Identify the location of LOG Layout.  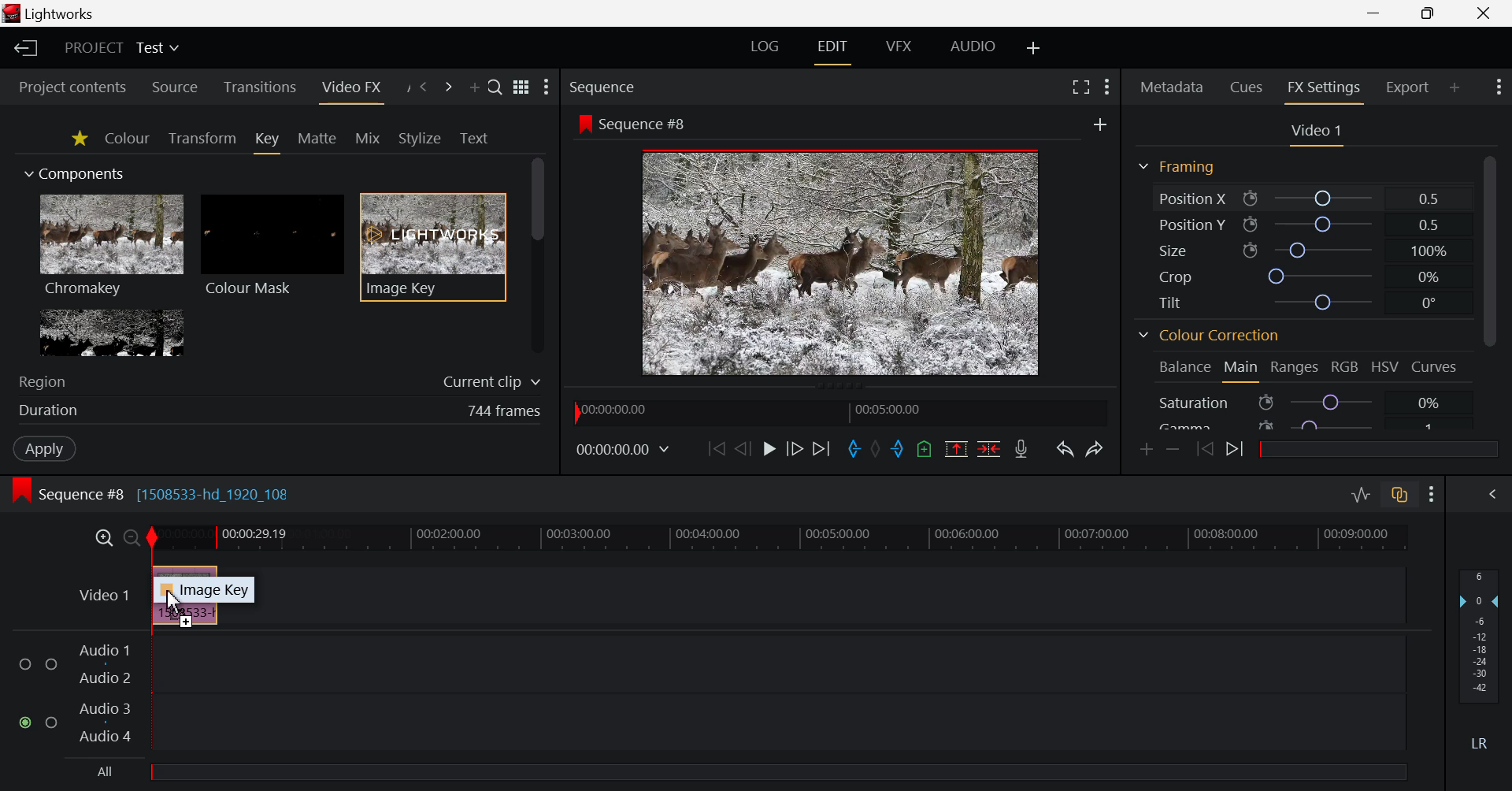
(769, 47).